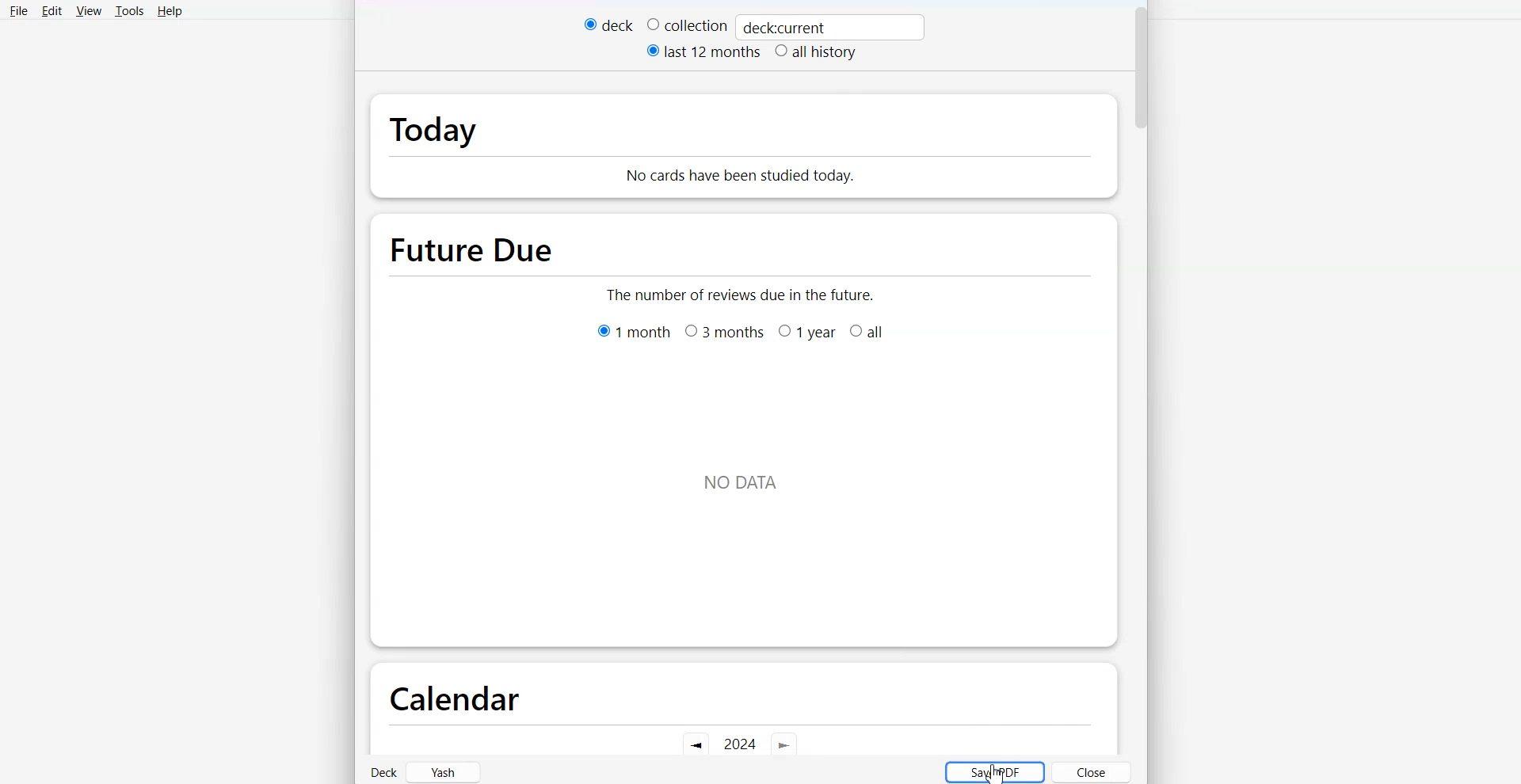  Describe the element at coordinates (814, 167) in the screenshot. I see `No cards have been studied today.` at that location.